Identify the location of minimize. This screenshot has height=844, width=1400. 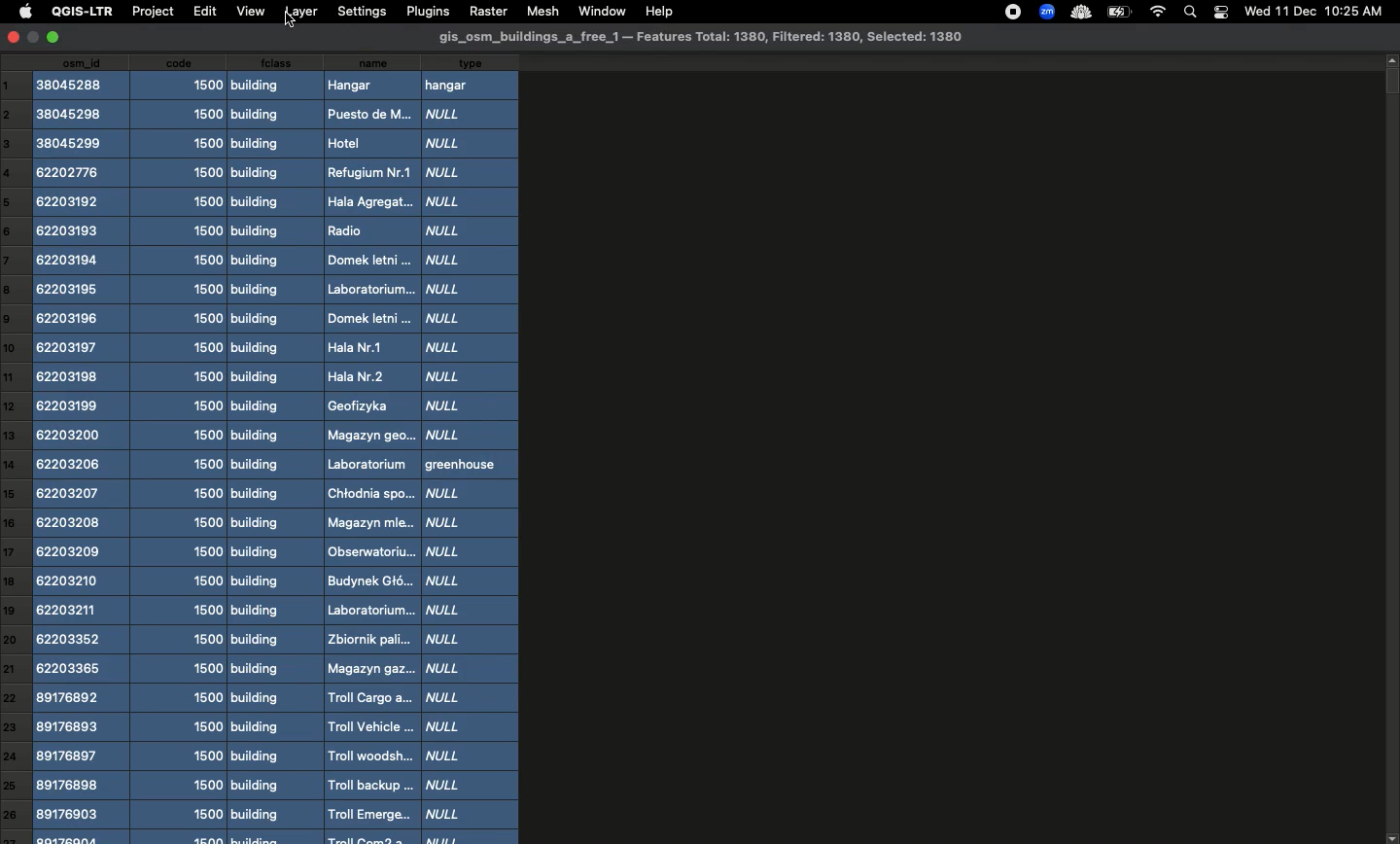
(33, 40).